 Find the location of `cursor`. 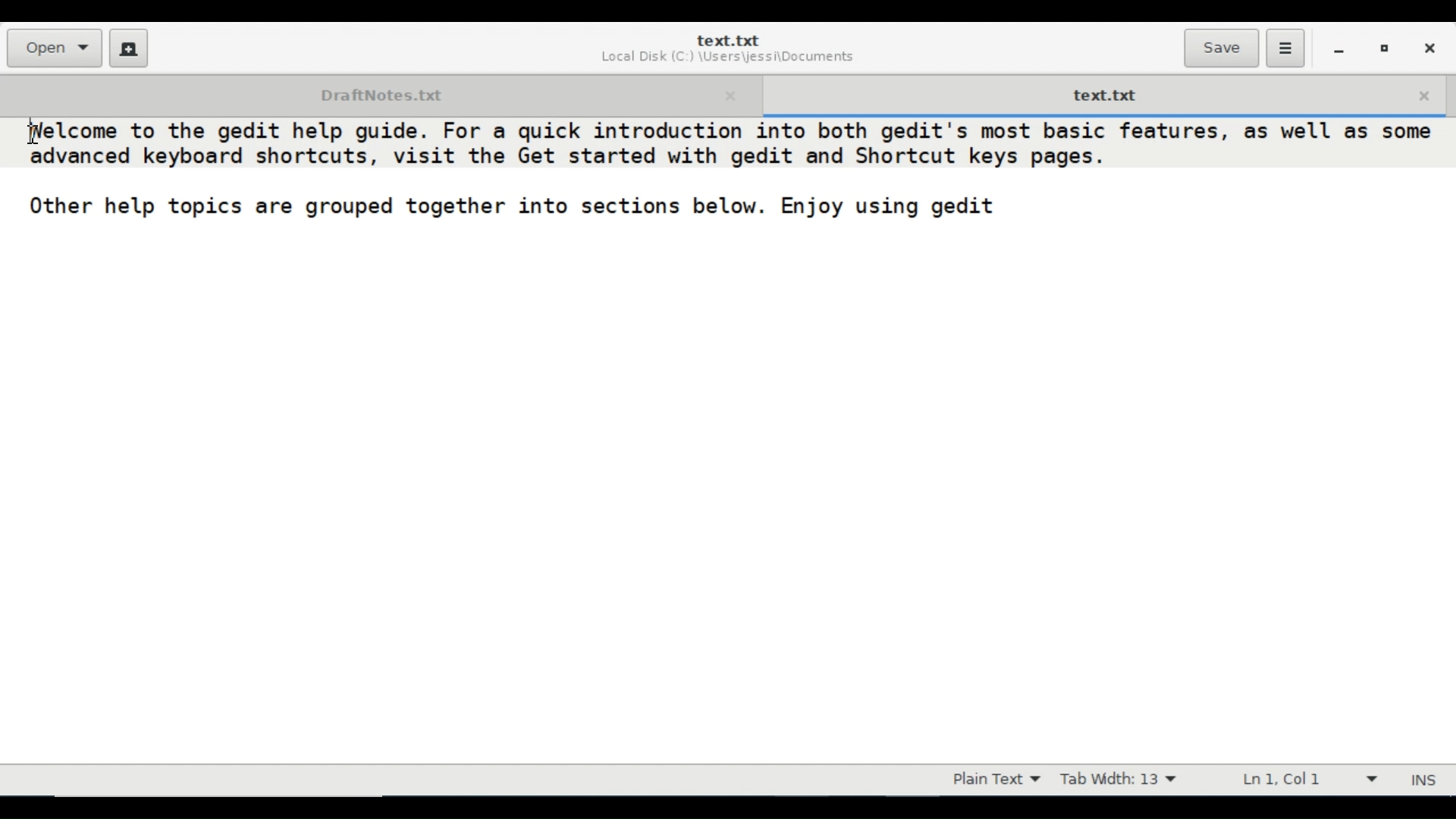

cursor is located at coordinates (28, 126).